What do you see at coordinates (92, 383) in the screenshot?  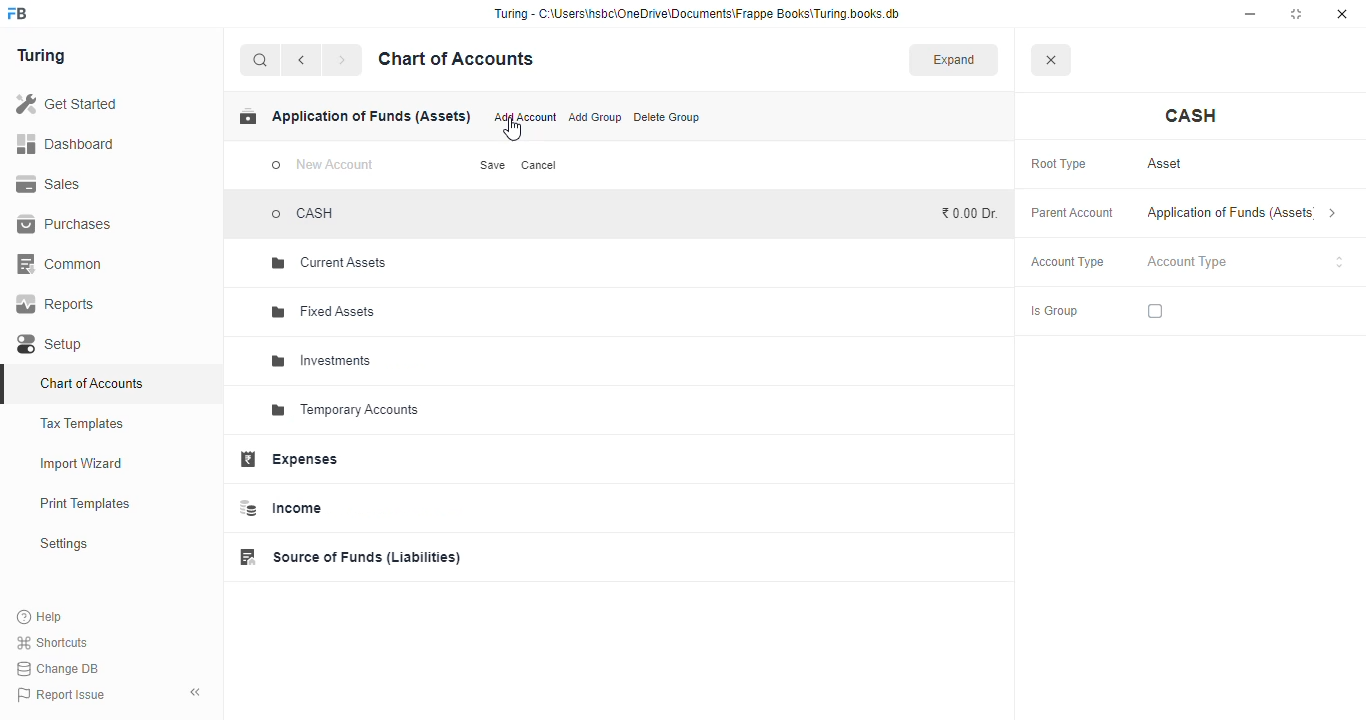 I see `chart of accounts` at bounding box center [92, 383].